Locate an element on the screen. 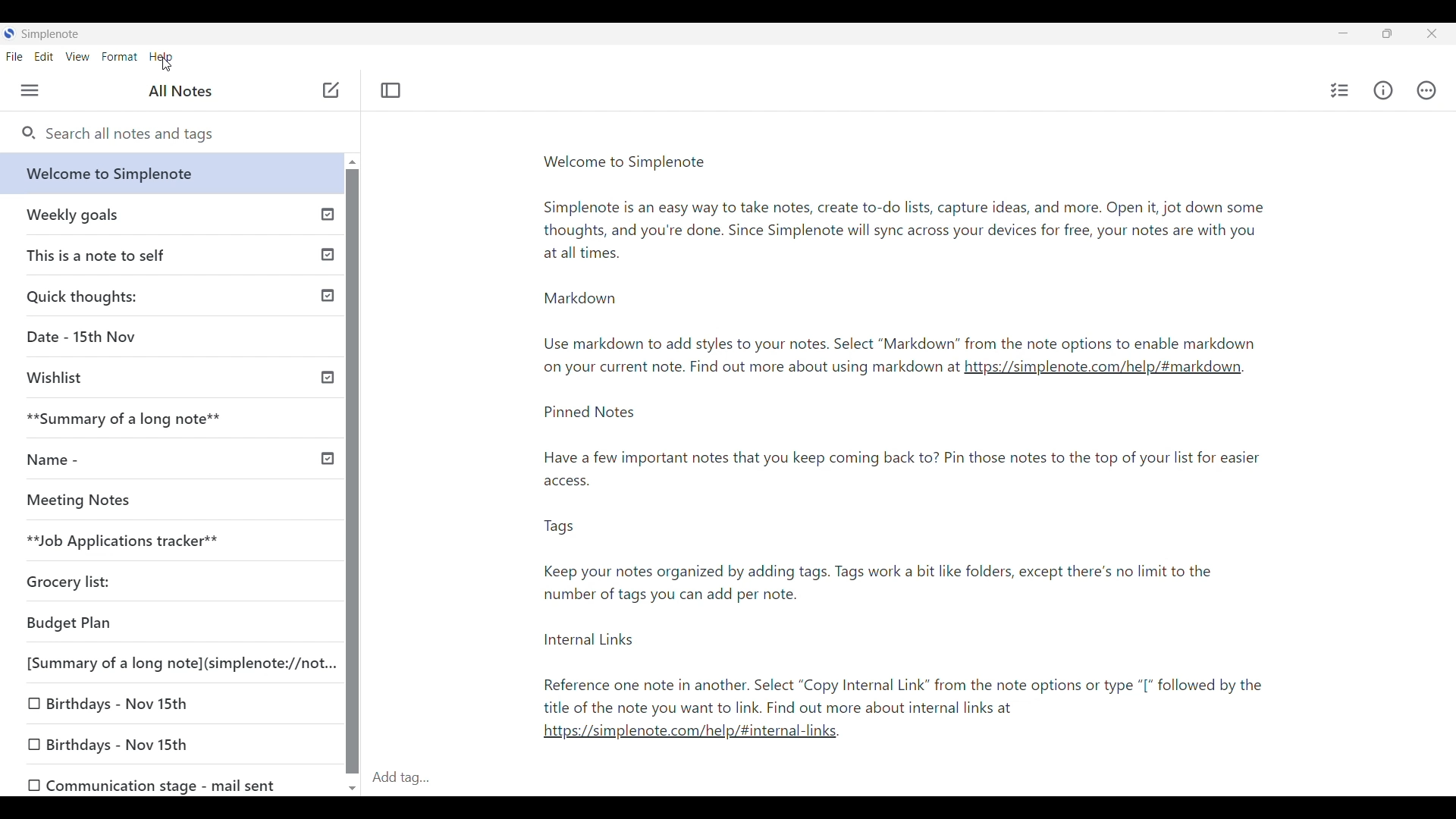  Insert checklist is located at coordinates (1340, 90).